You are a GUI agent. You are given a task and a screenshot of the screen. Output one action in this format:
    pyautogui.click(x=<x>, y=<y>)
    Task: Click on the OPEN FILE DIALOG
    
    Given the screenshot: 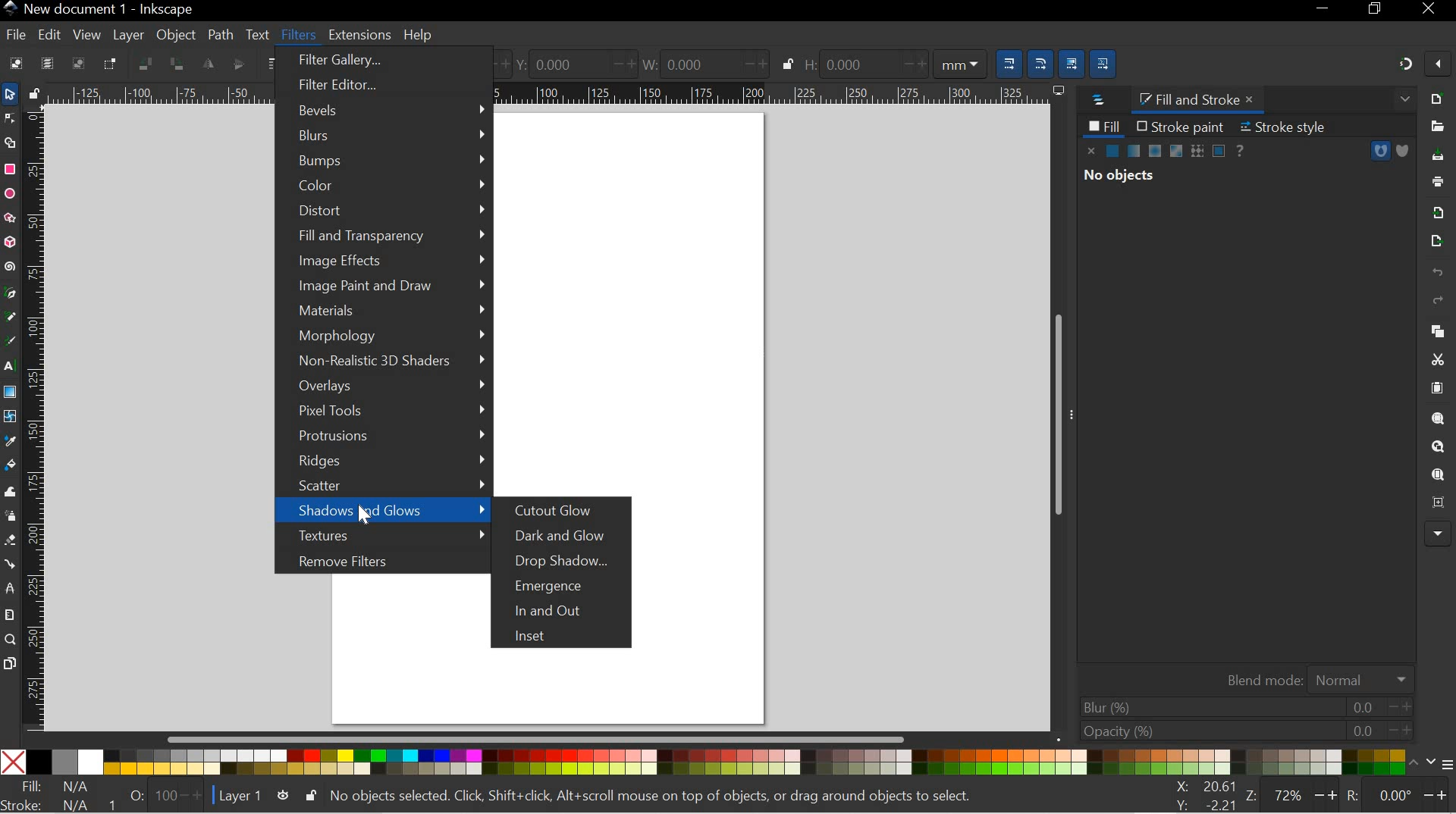 What is the action you would take?
    pyautogui.click(x=1434, y=127)
    